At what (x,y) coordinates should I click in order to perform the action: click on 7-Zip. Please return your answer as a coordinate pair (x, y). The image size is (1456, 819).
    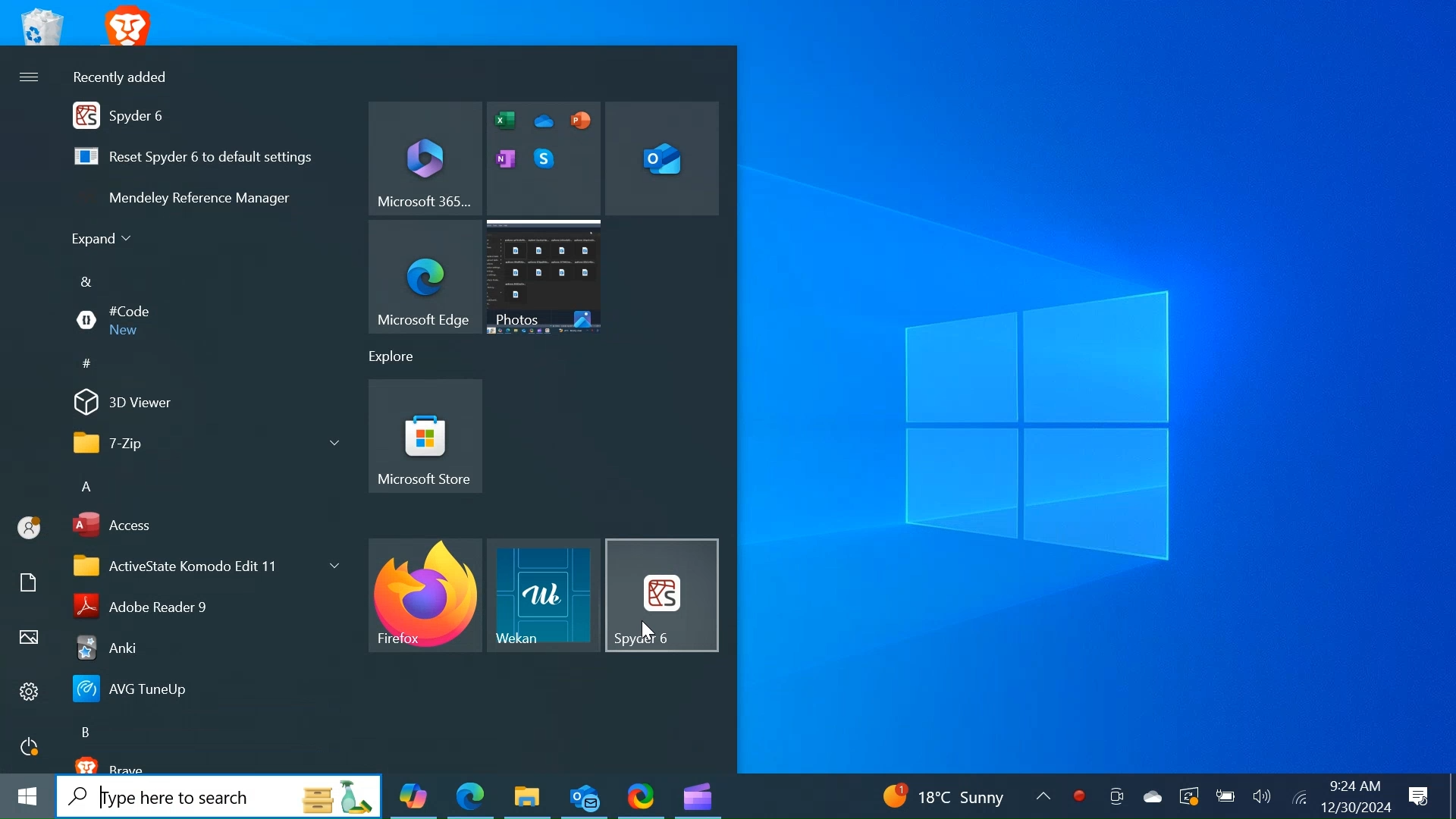
    Looking at the image, I should click on (199, 444).